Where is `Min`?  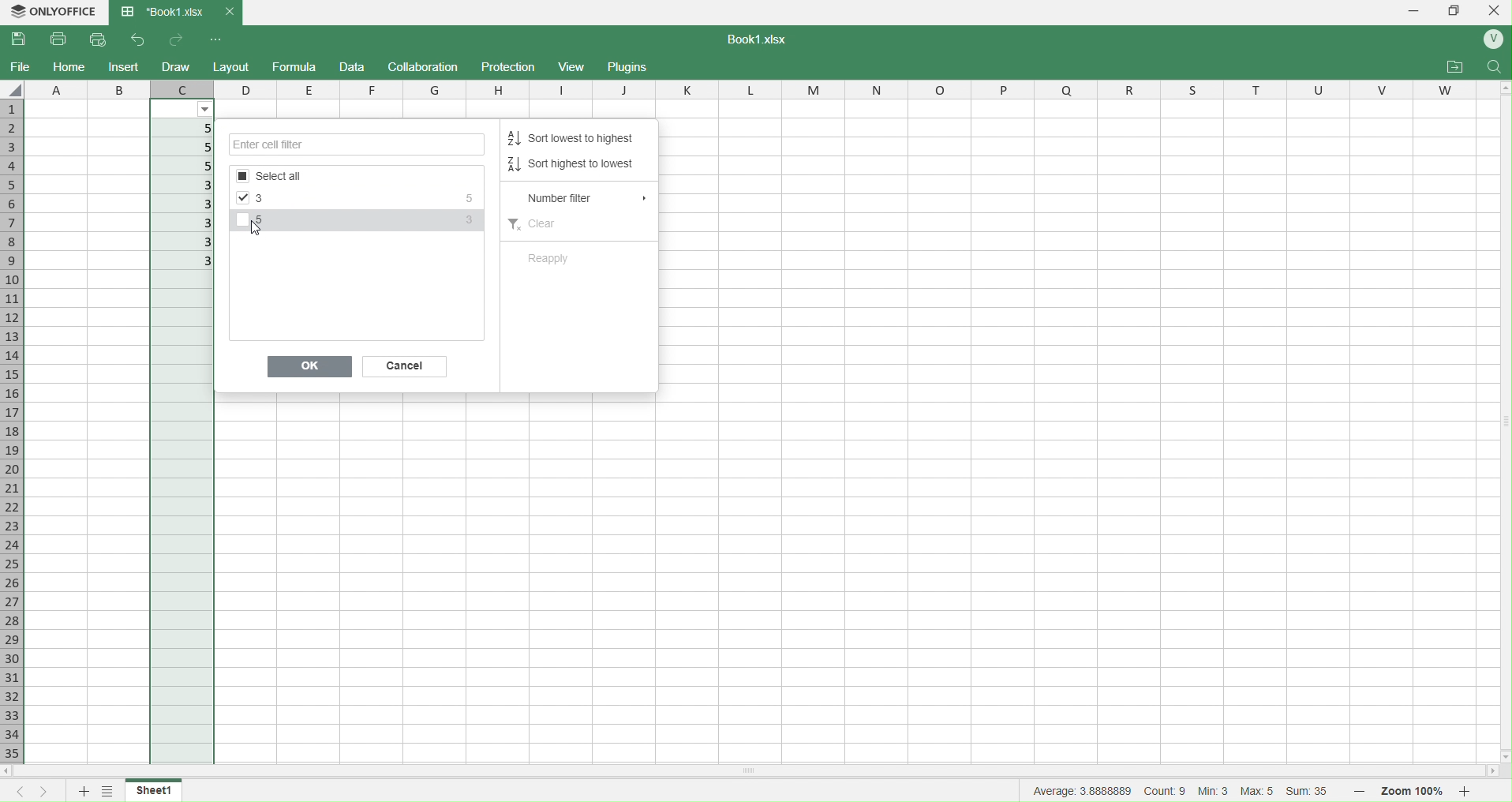
Min is located at coordinates (1214, 792).